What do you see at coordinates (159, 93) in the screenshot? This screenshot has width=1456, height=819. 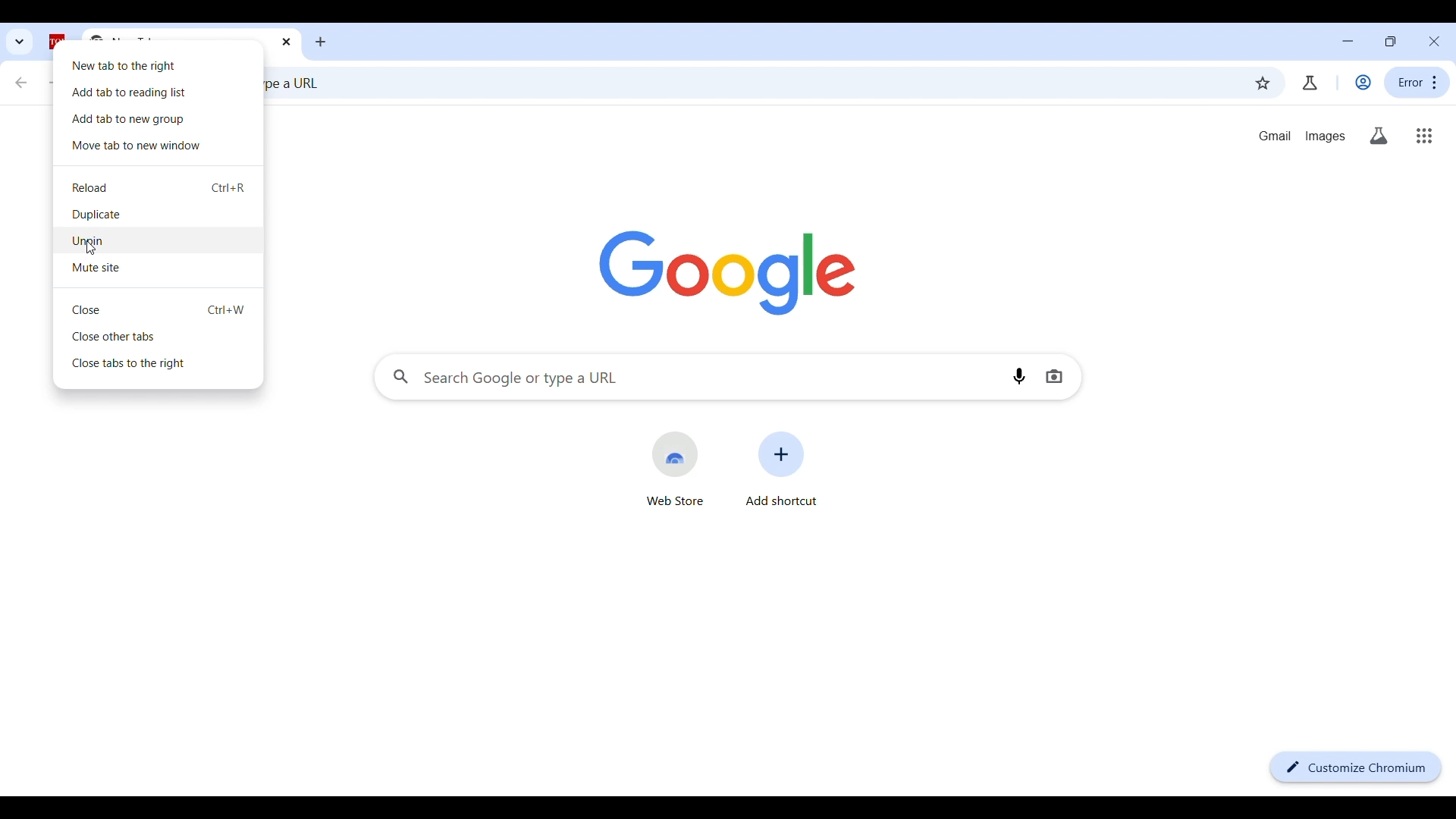 I see `Add tab to reading list` at bounding box center [159, 93].